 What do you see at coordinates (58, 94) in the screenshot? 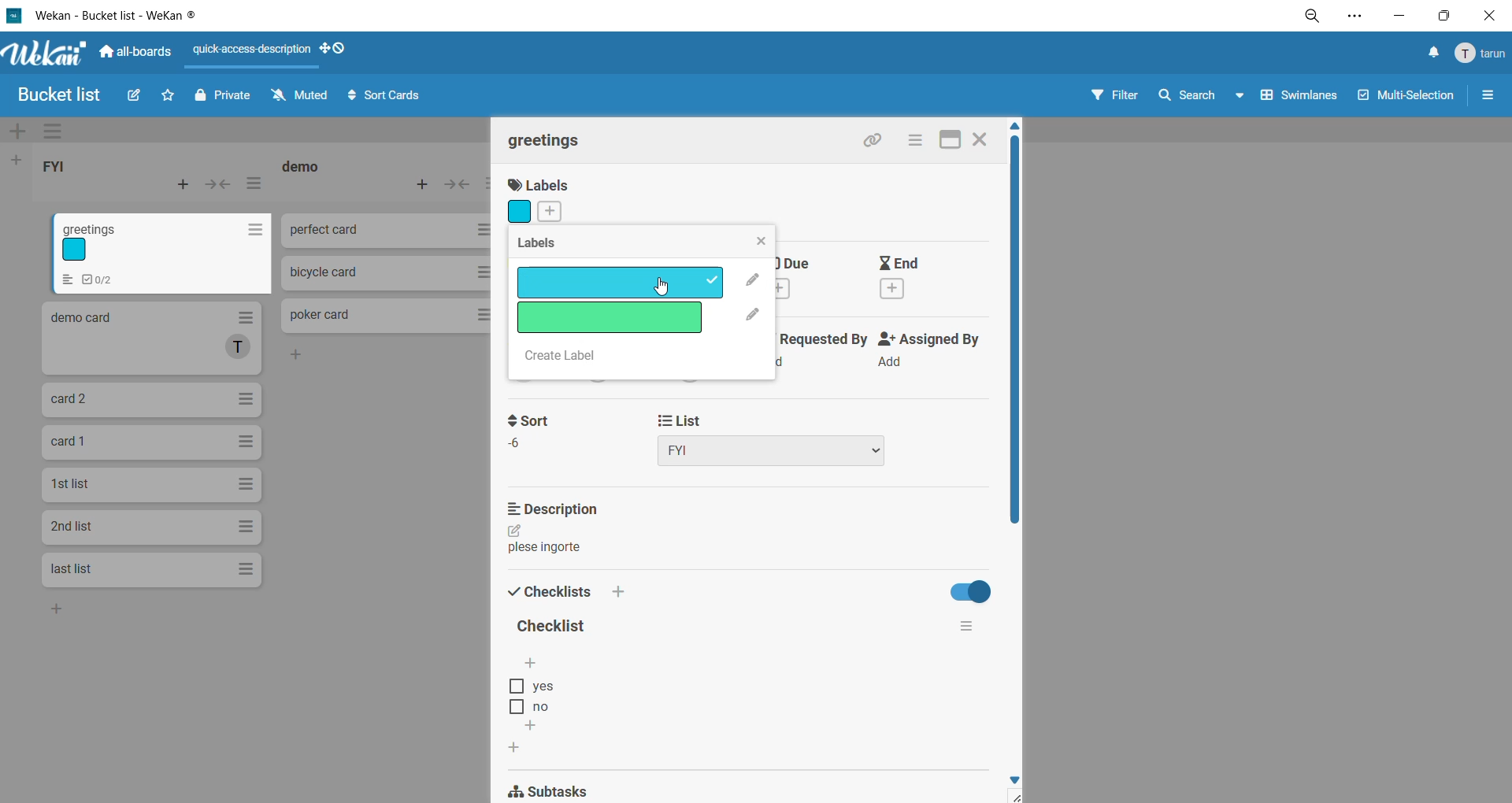
I see `Bucket list` at bounding box center [58, 94].